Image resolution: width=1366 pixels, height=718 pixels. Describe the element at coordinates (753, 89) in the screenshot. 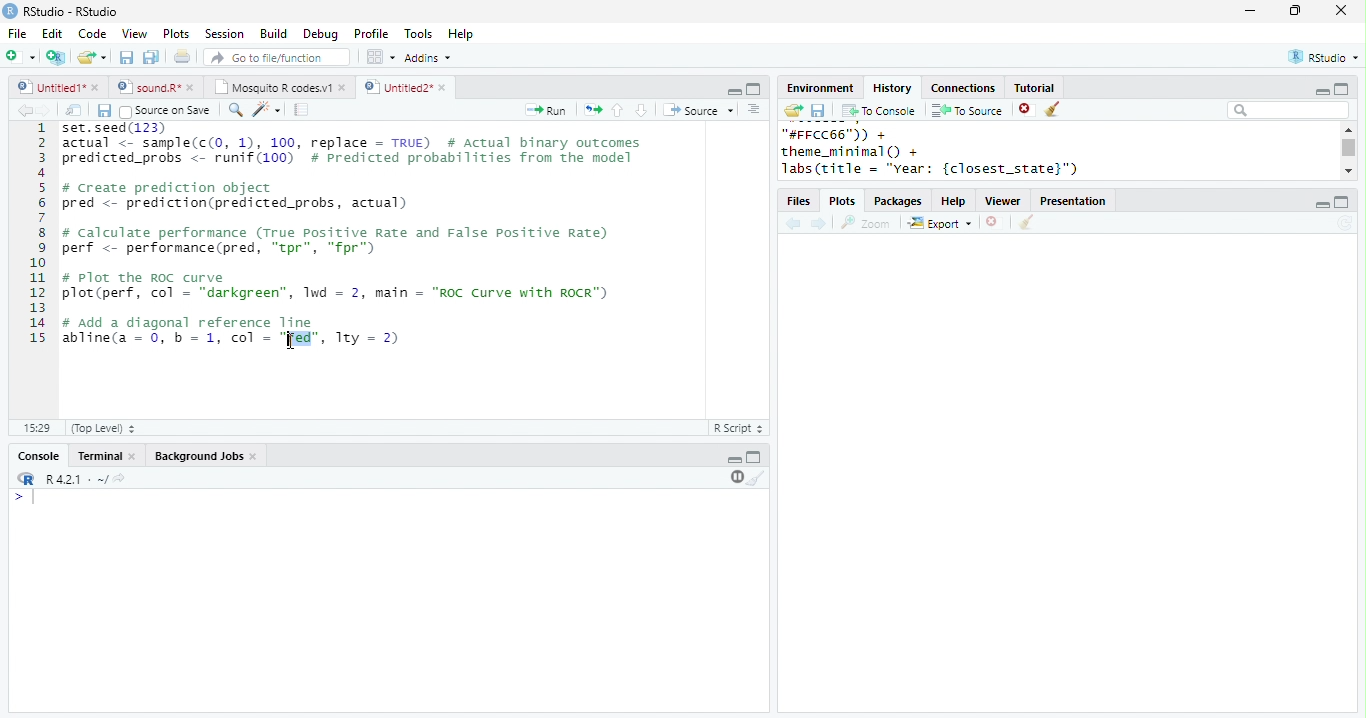

I see `maximize` at that location.